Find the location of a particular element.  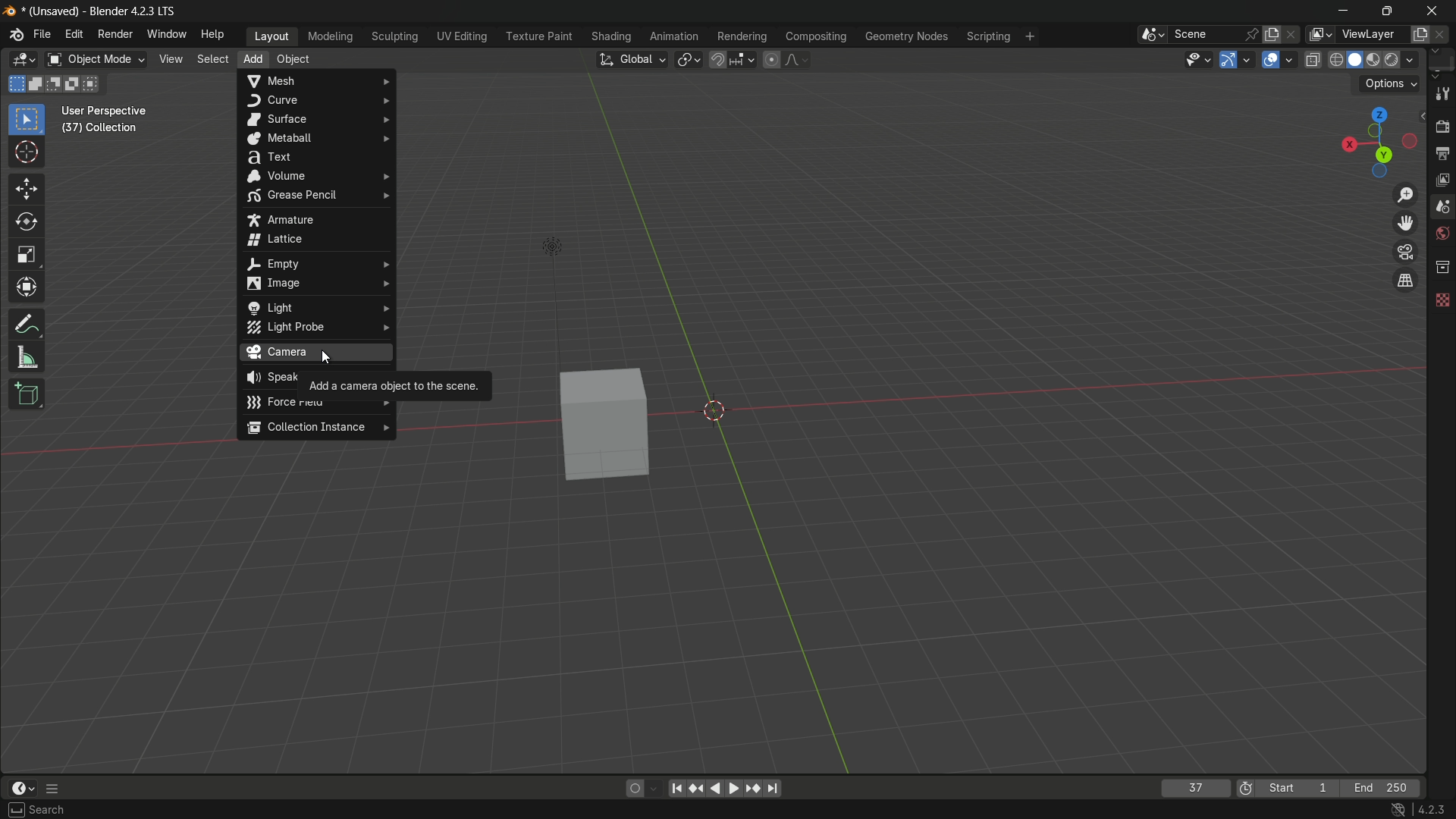

overlays is located at coordinates (1291, 59).